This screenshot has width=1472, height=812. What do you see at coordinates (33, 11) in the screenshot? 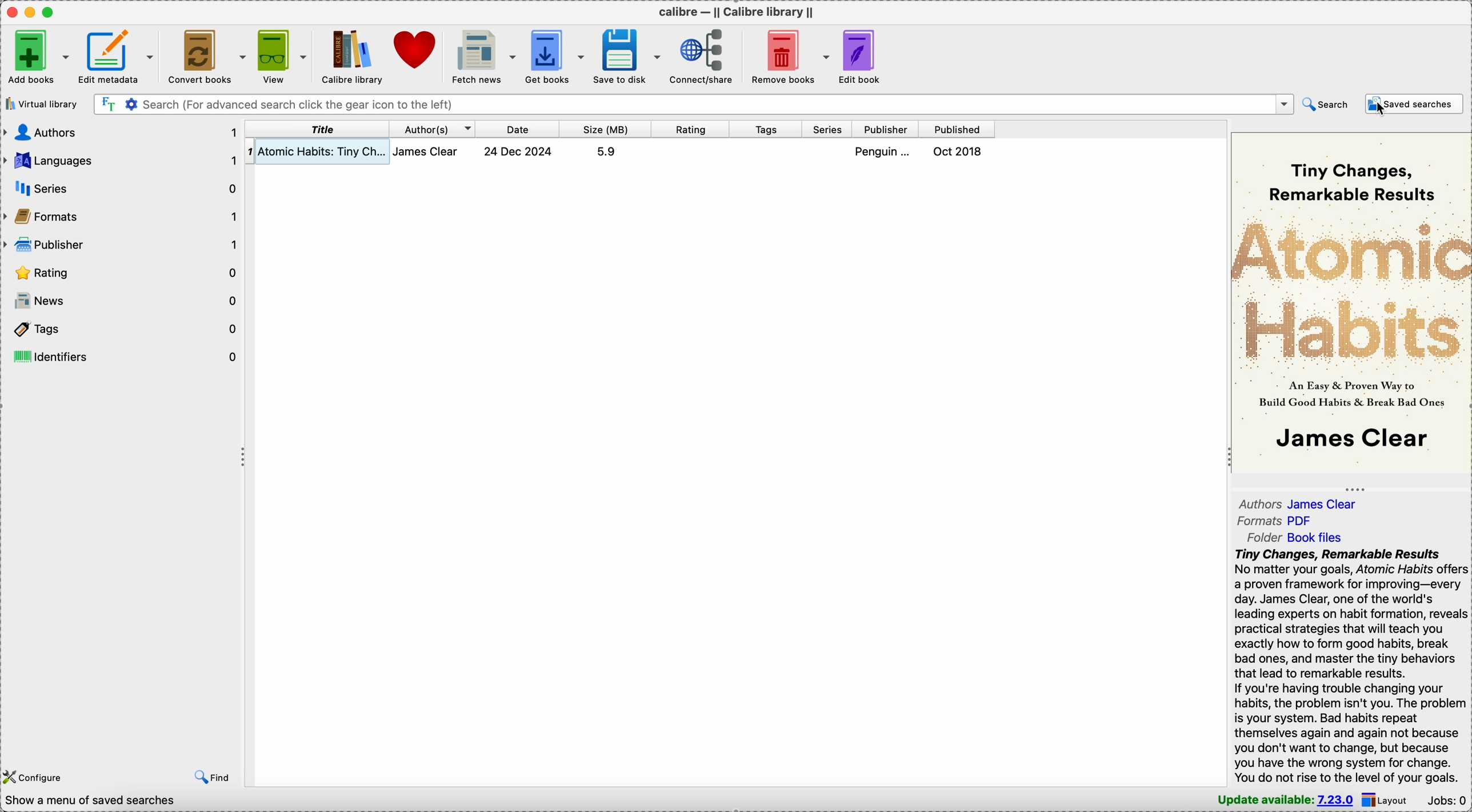
I see `minimize` at bounding box center [33, 11].